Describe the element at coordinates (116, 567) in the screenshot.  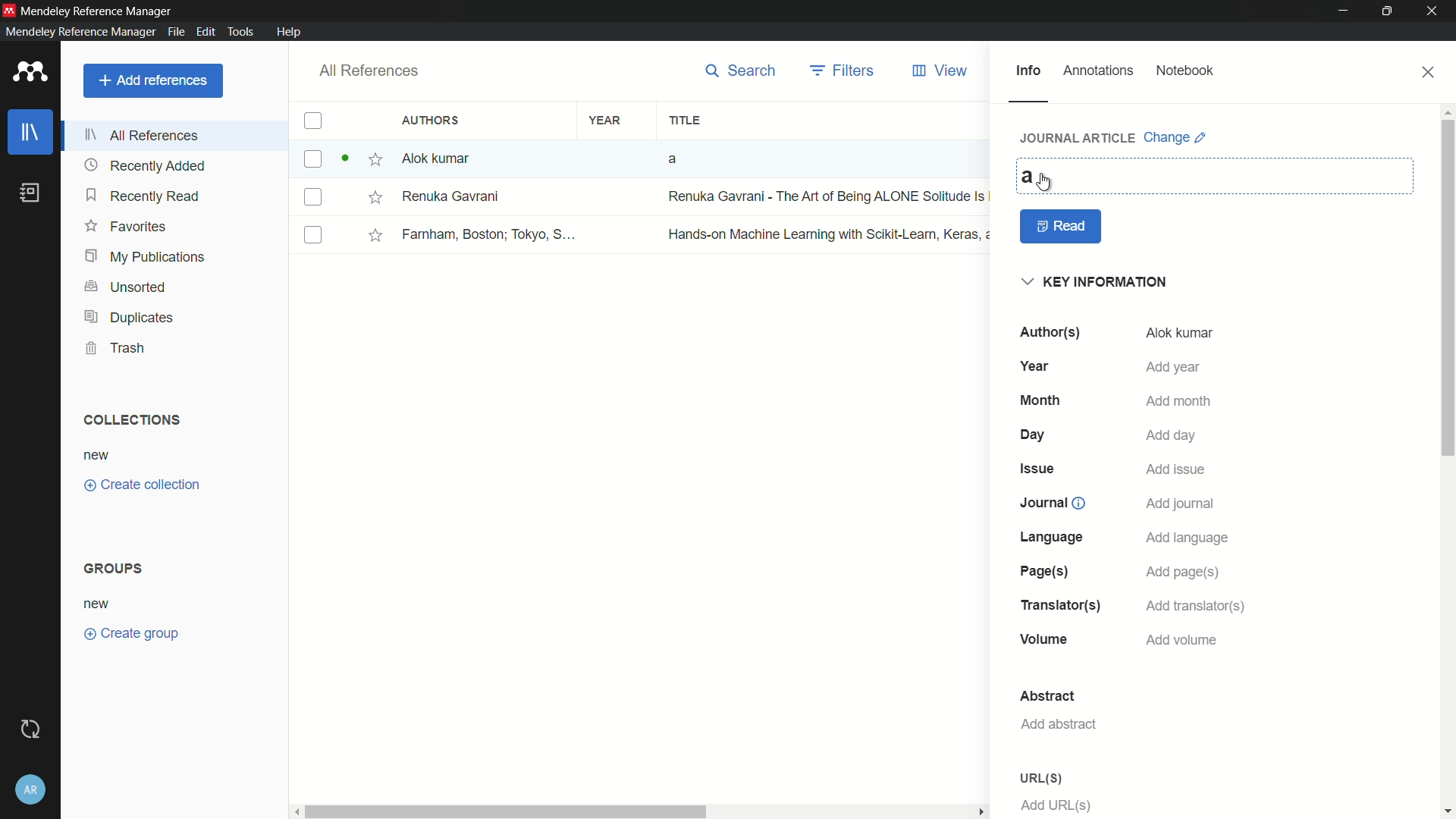
I see `groups` at that location.